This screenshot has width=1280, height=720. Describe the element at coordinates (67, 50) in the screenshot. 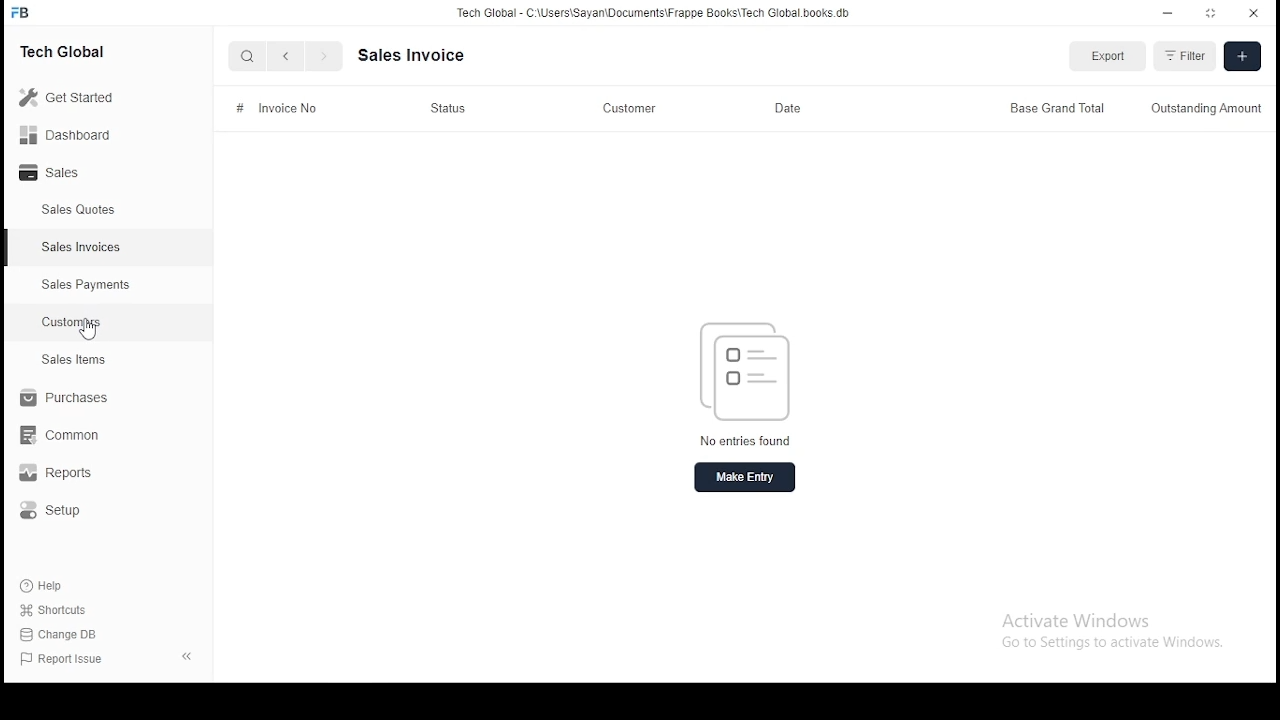

I see `tech global` at that location.